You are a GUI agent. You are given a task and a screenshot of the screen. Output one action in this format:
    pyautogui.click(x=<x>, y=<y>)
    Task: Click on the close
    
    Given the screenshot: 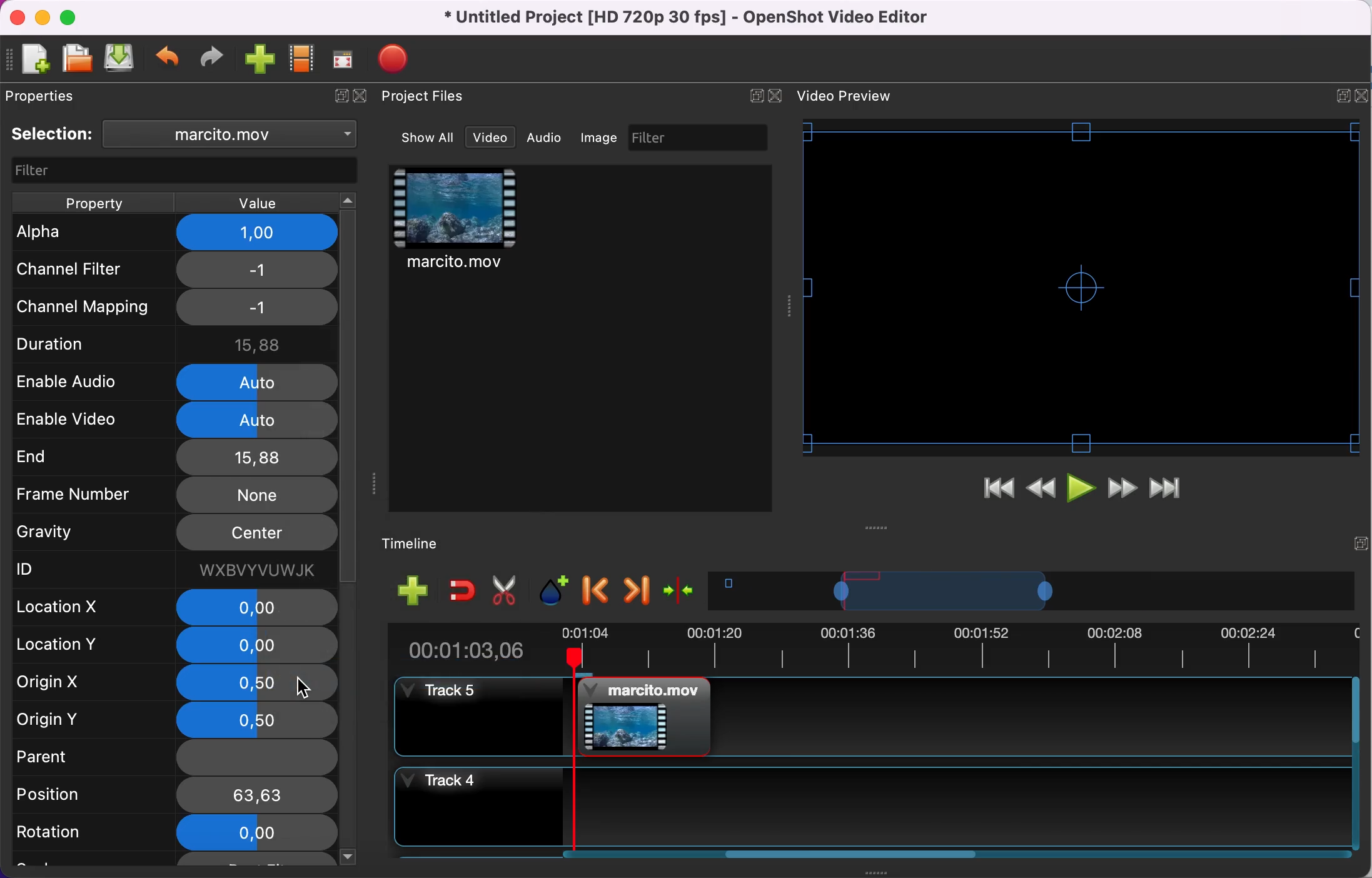 What is the action you would take?
    pyautogui.click(x=17, y=18)
    